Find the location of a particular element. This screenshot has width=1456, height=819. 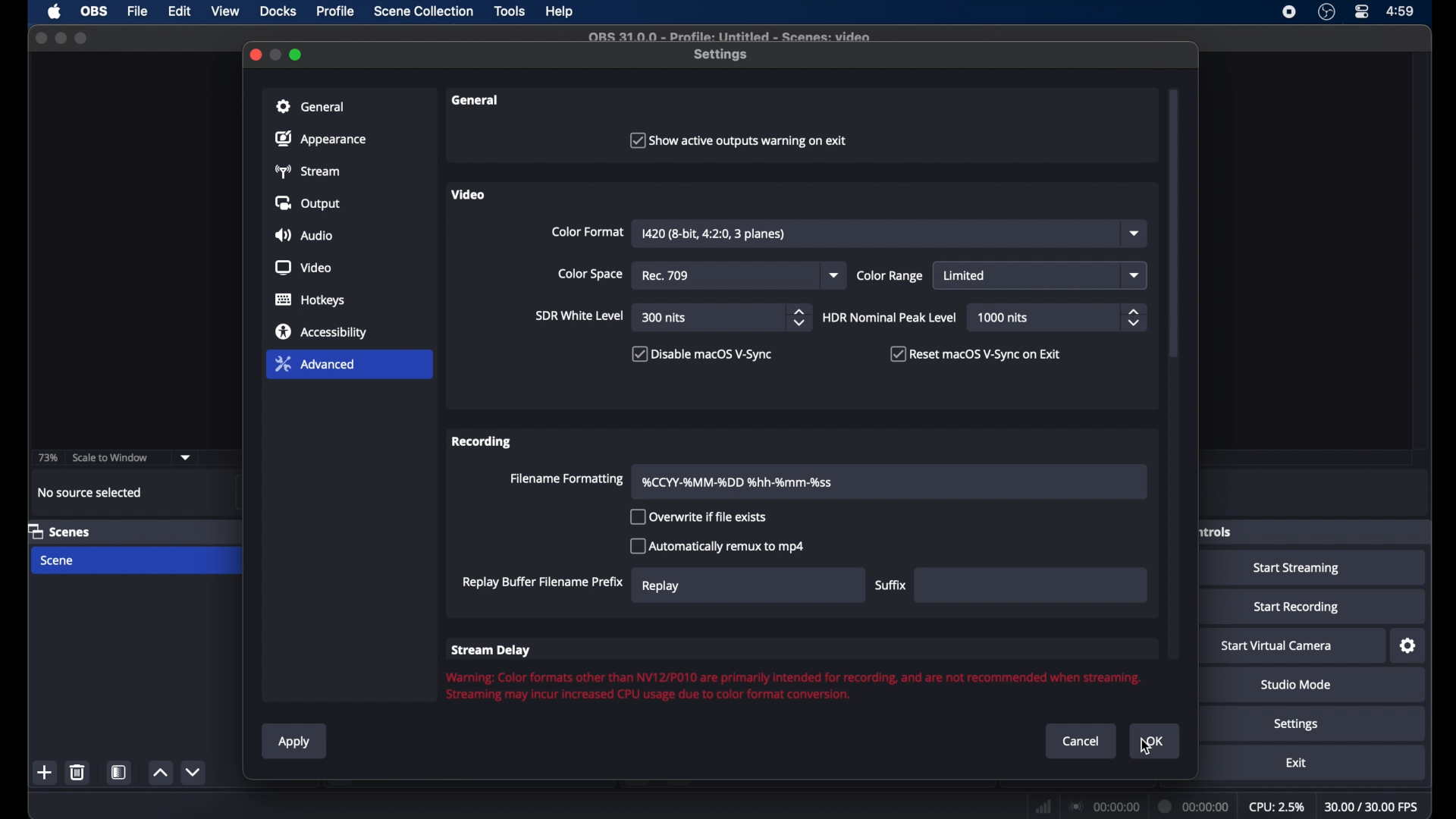

settings is located at coordinates (722, 55).